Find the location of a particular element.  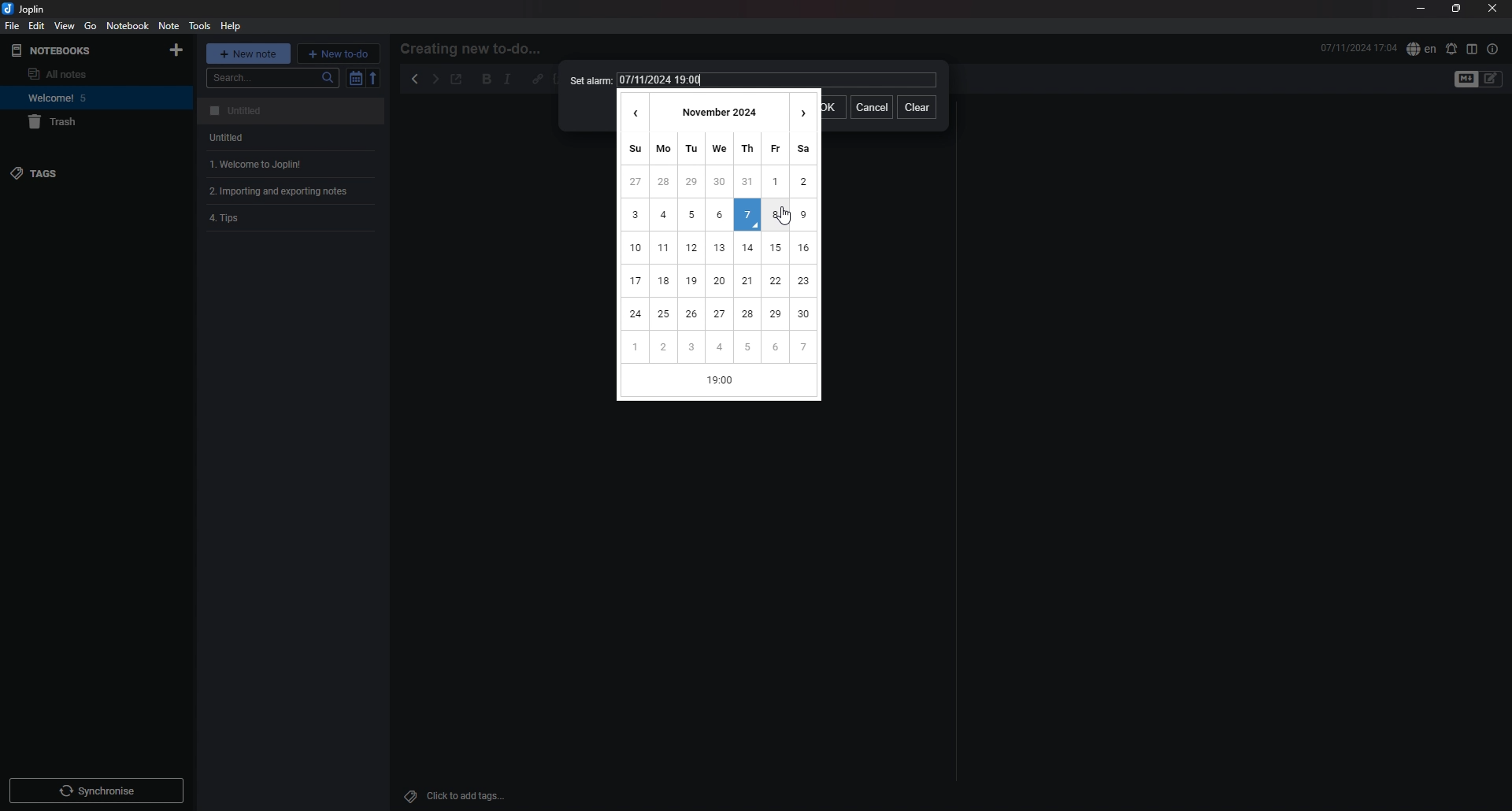

toggle editor is located at coordinates (1464, 80).